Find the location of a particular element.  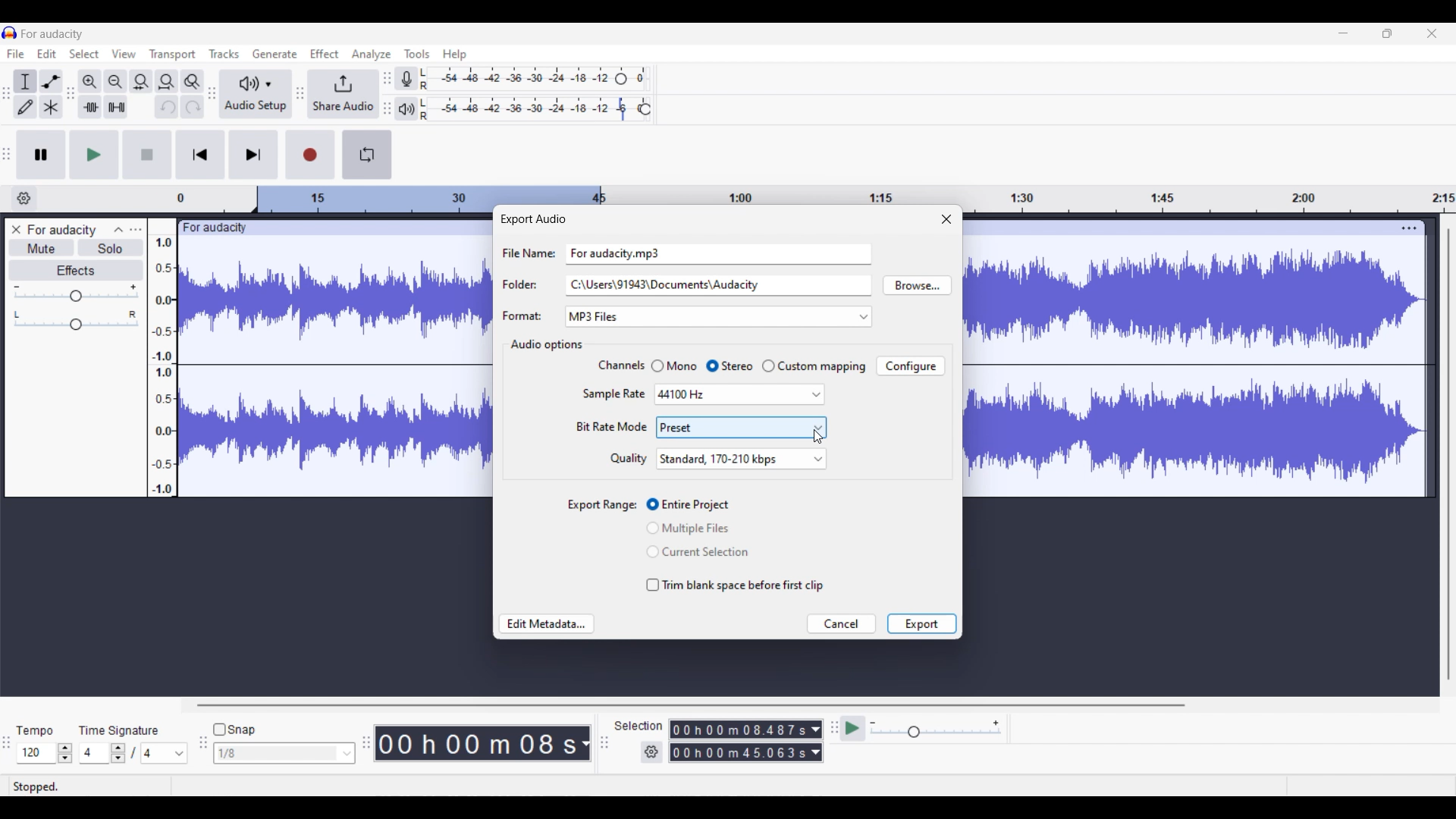

Tracks menu is located at coordinates (224, 54).